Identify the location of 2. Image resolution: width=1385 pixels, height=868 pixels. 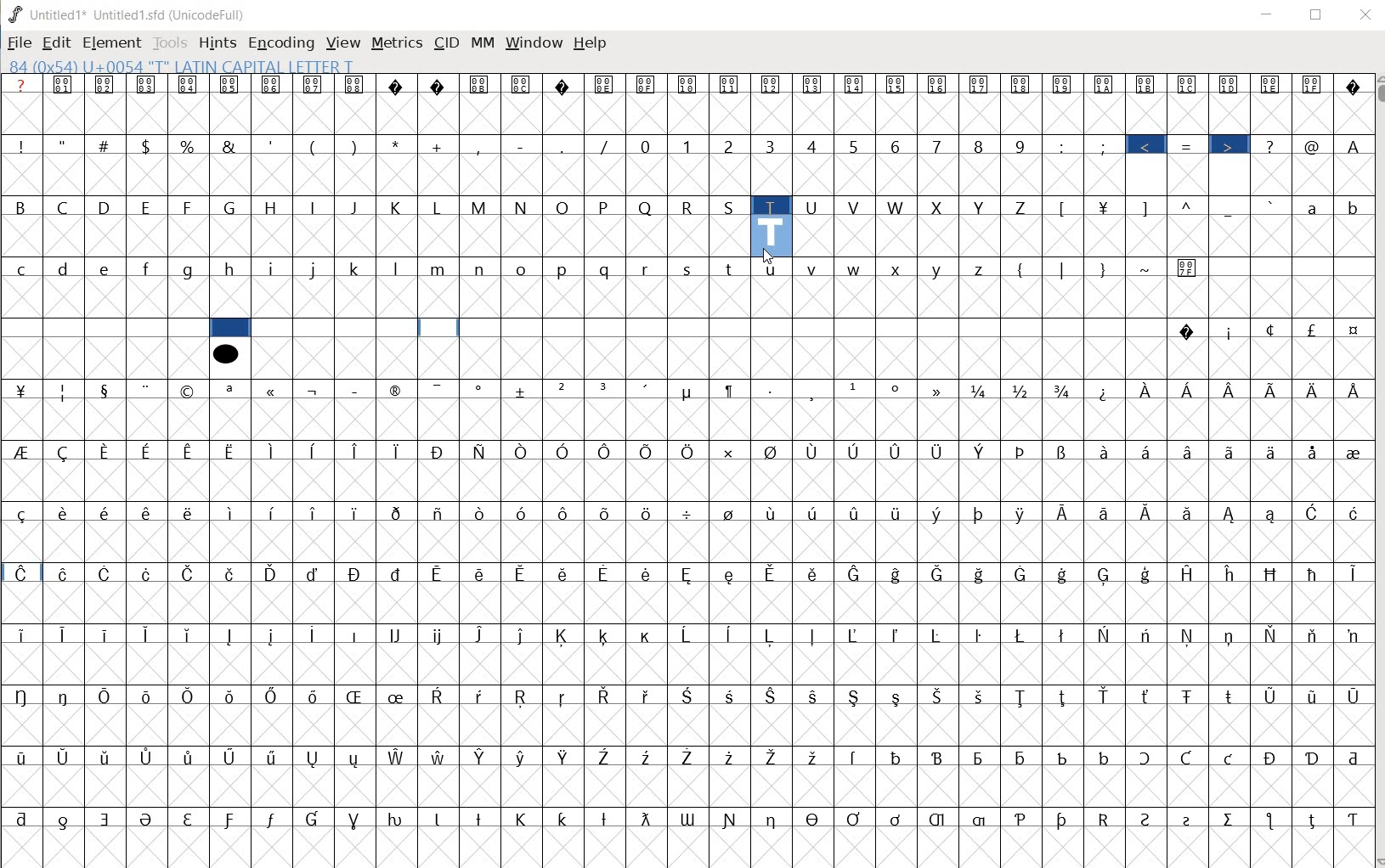
(731, 146).